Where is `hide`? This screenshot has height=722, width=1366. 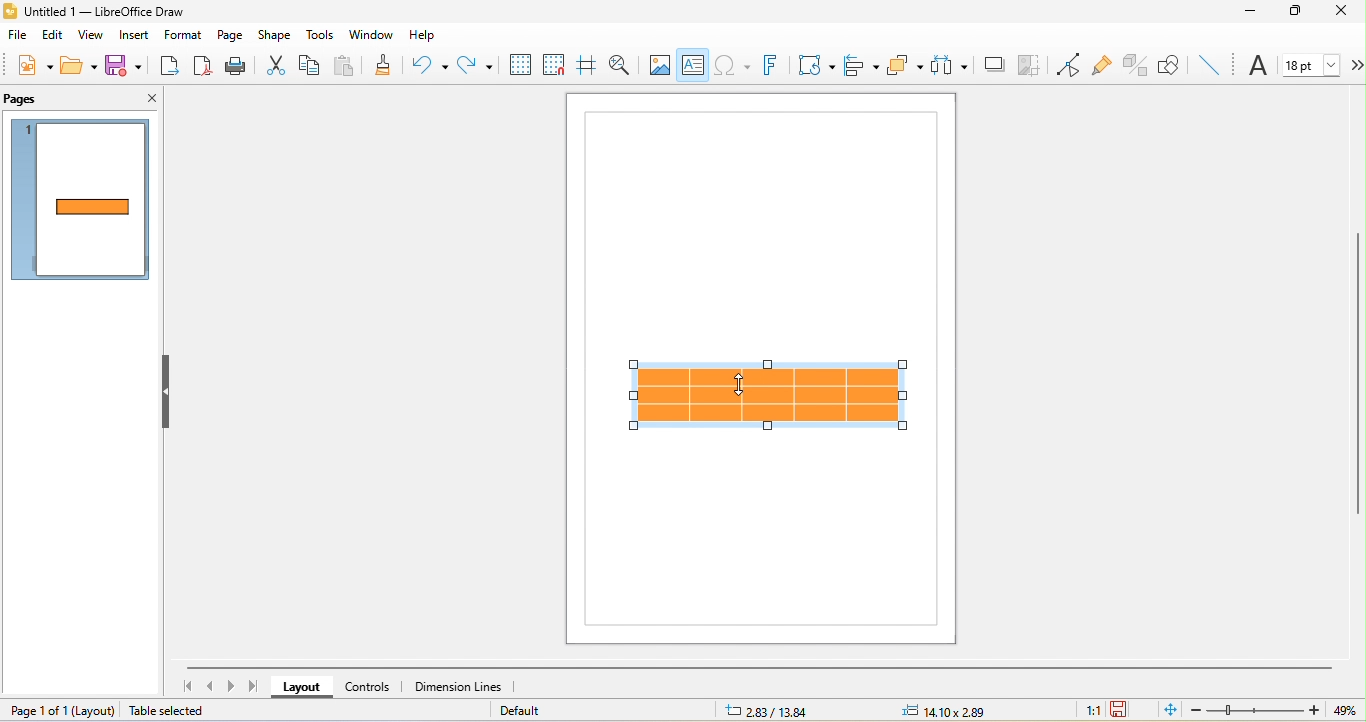 hide is located at coordinates (168, 395).